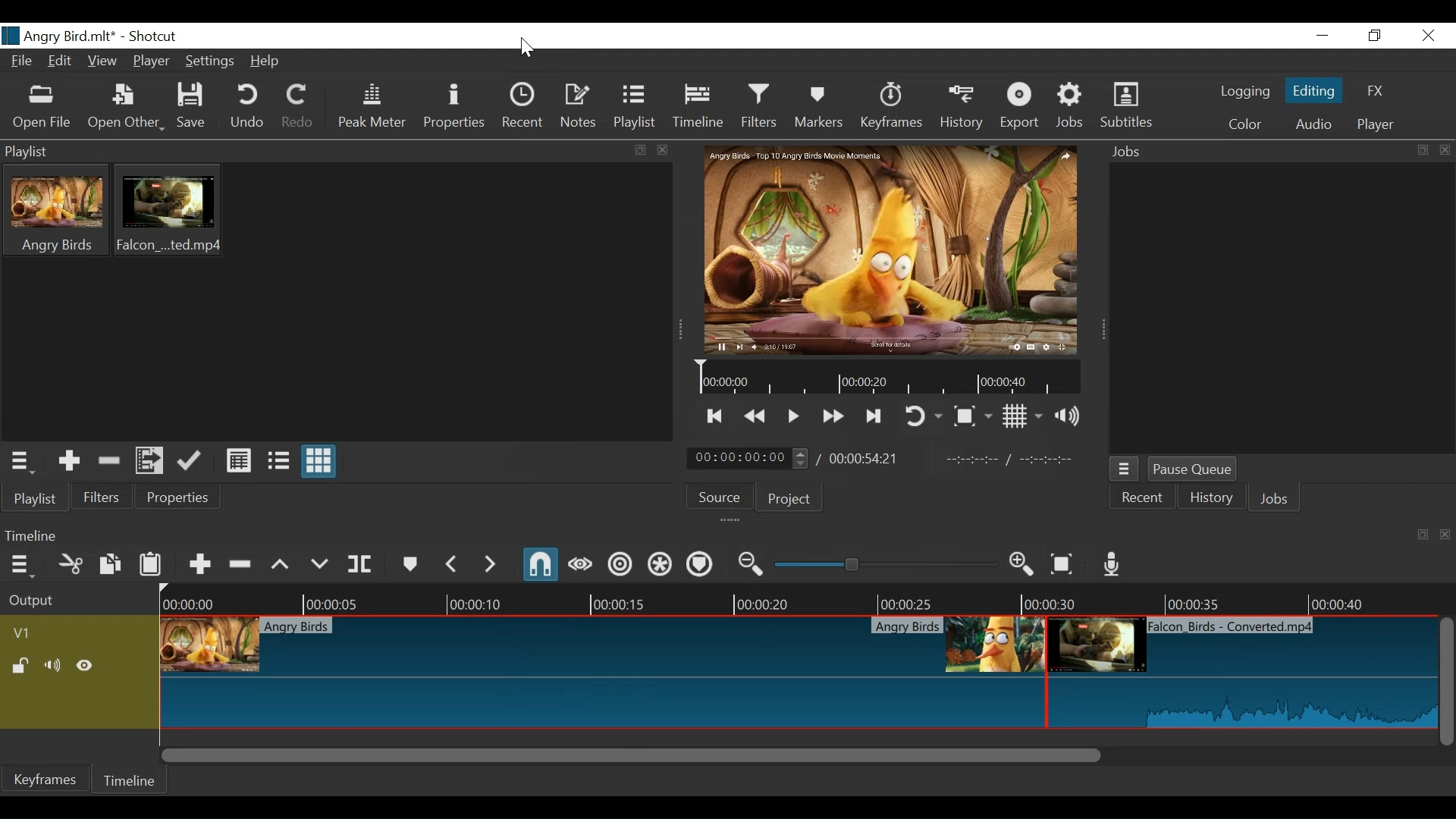  What do you see at coordinates (489, 565) in the screenshot?
I see `Next Marker` at bounding box center [489, 565].